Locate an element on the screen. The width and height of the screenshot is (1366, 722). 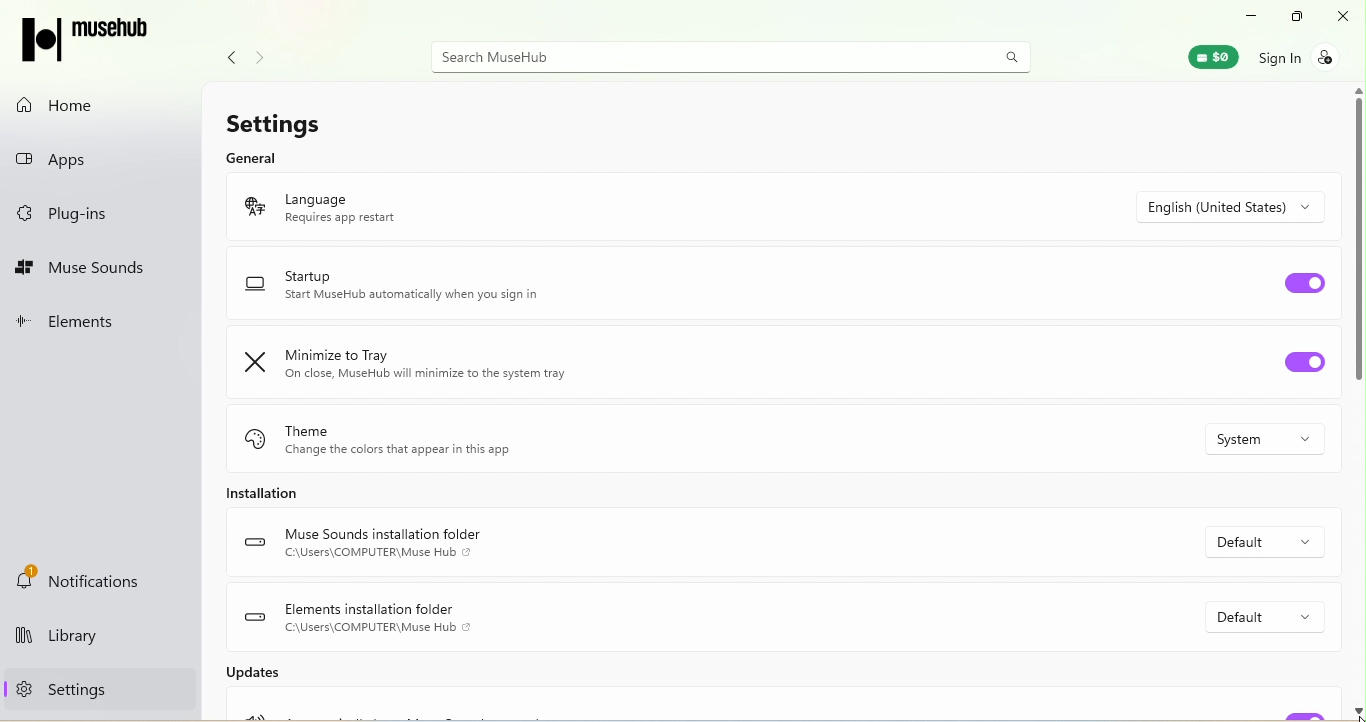
minimize is located at coordinates (1250, 15).